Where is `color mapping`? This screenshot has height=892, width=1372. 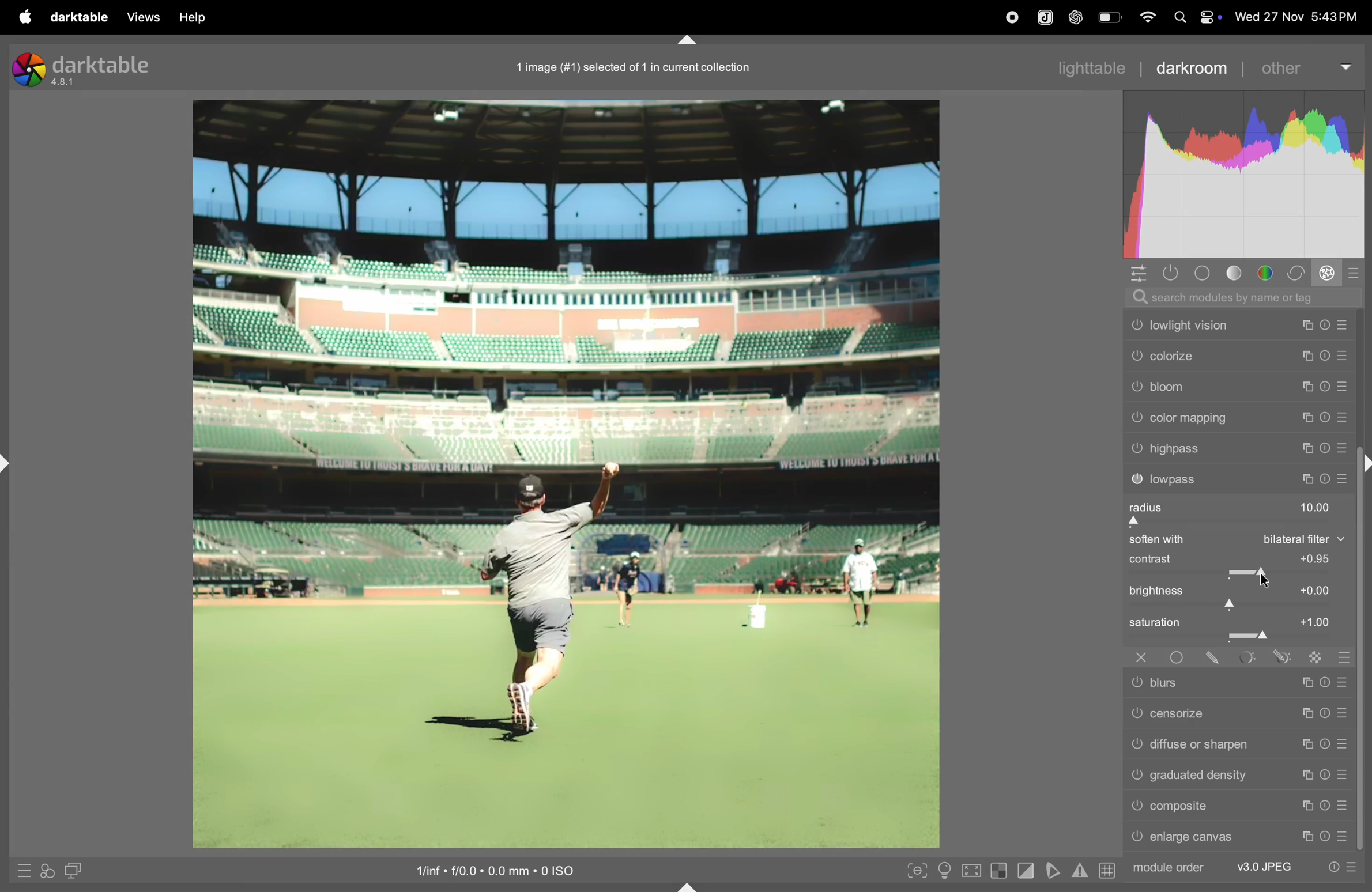
color mapping is located at coordinates (1236, 419).